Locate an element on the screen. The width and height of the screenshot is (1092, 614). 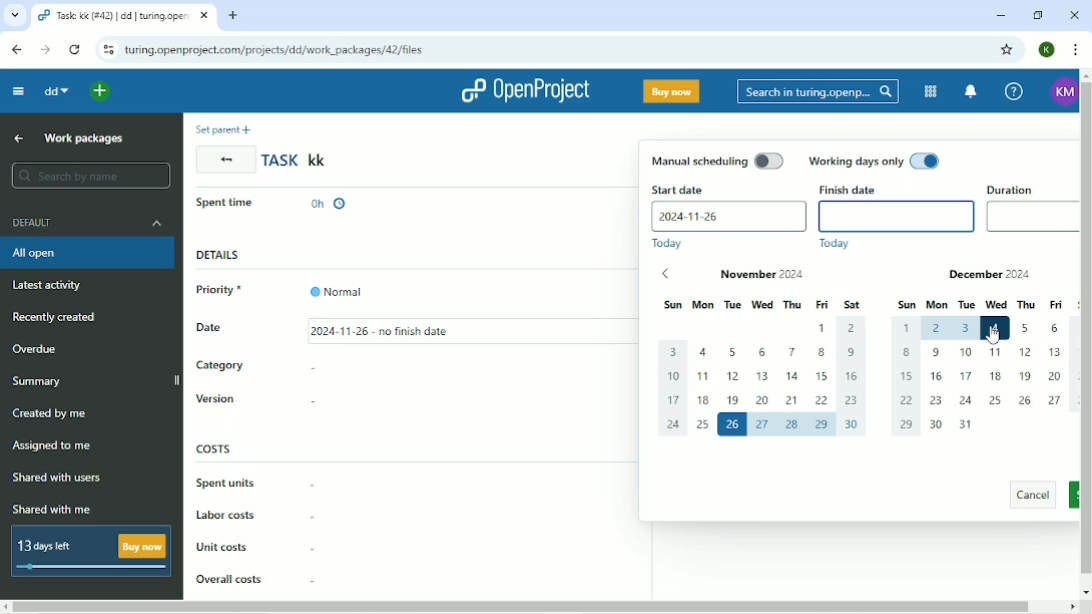
Duartion is located at coordinates (1029, 188).